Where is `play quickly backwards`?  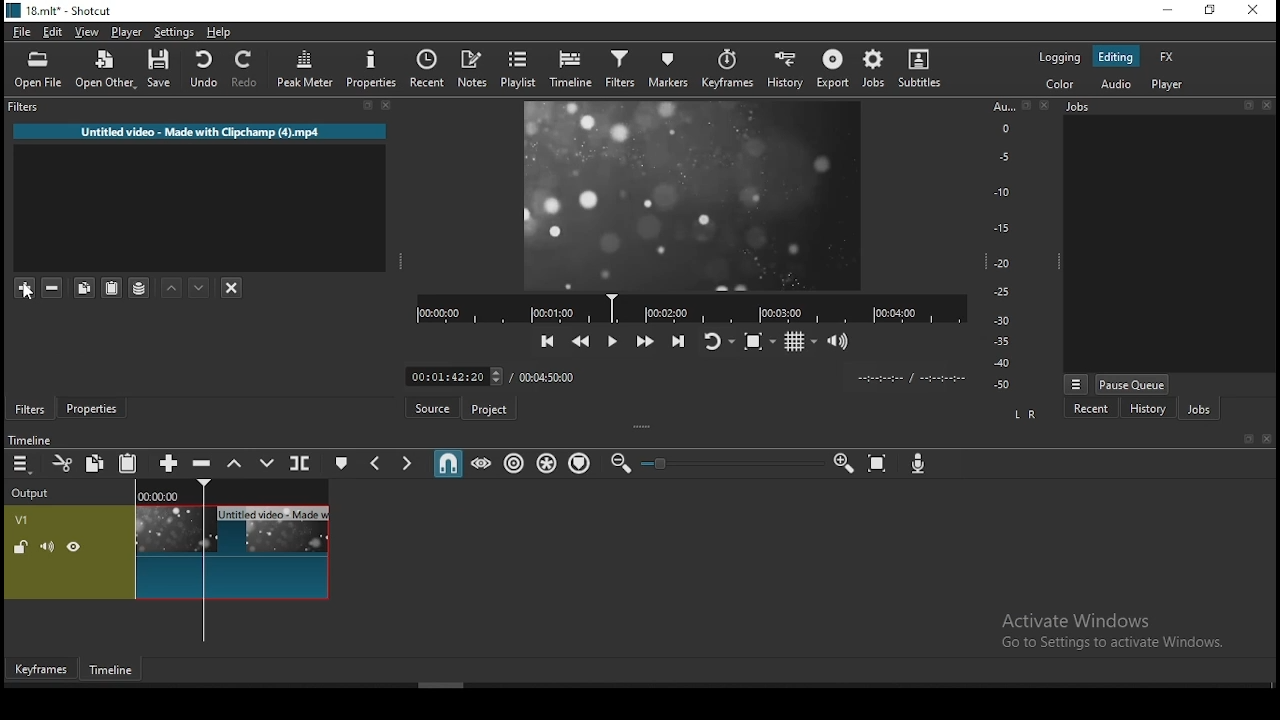
play quickly backwards is located at coordinates (580, 341).